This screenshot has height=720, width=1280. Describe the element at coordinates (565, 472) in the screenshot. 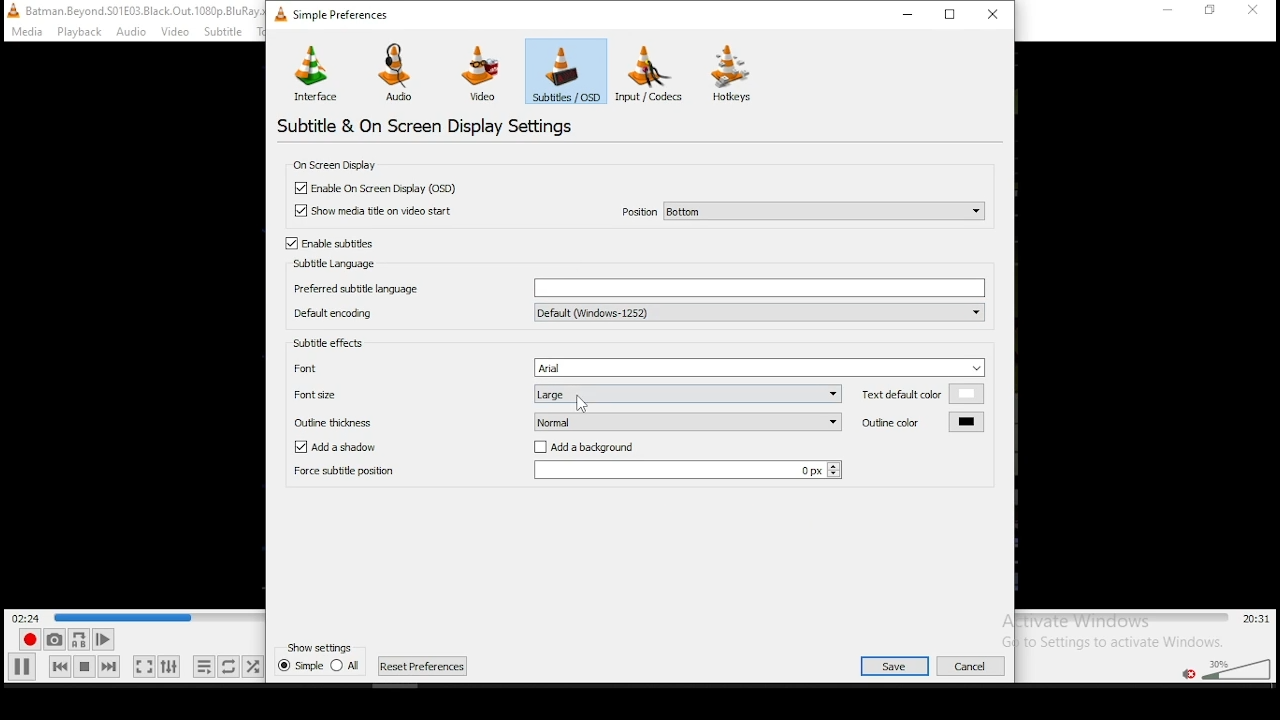

I see `force subtitle position 0 px` at that location.